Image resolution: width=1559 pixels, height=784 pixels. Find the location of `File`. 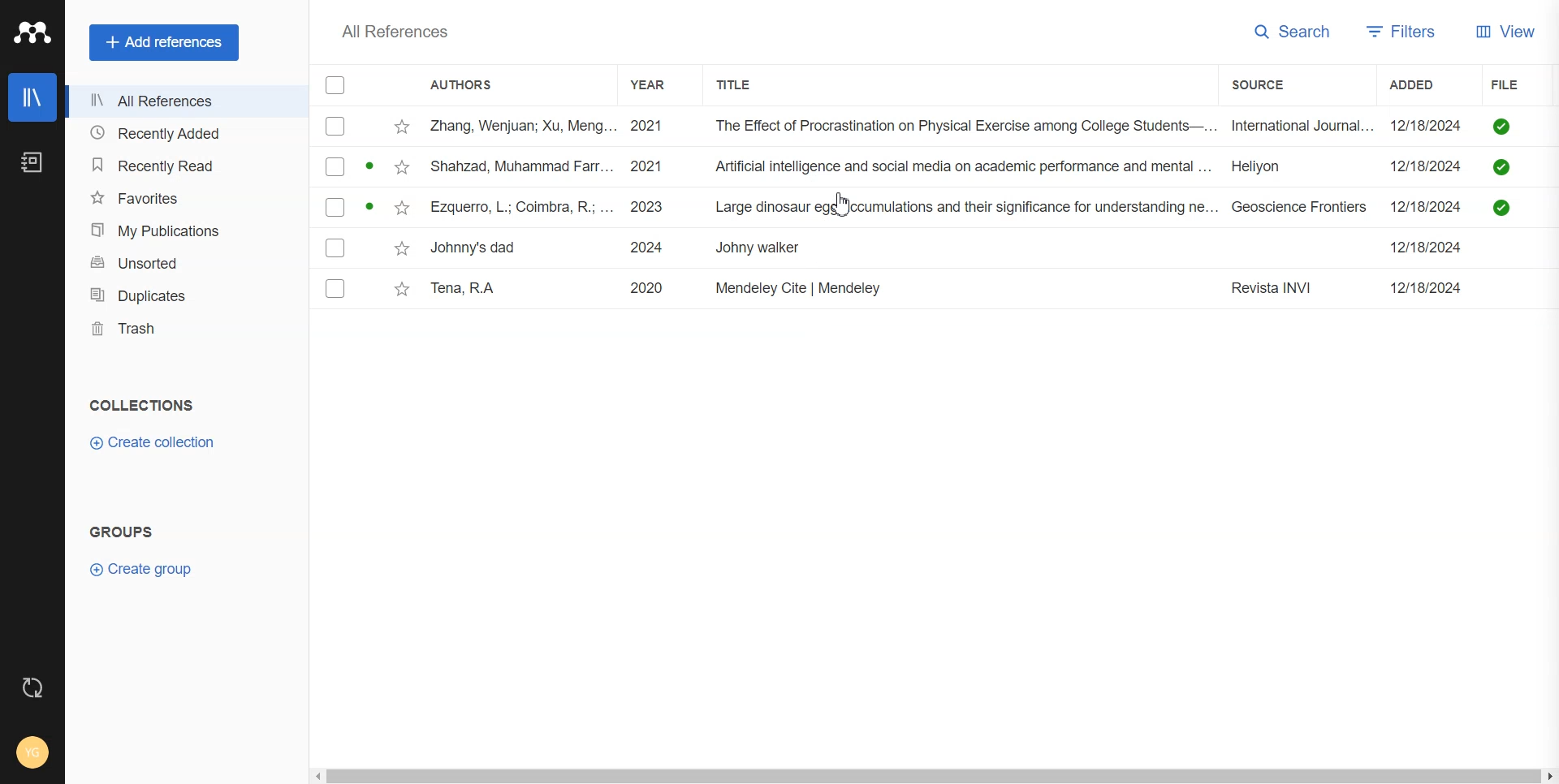

File is located at coordinates (1516, 84).